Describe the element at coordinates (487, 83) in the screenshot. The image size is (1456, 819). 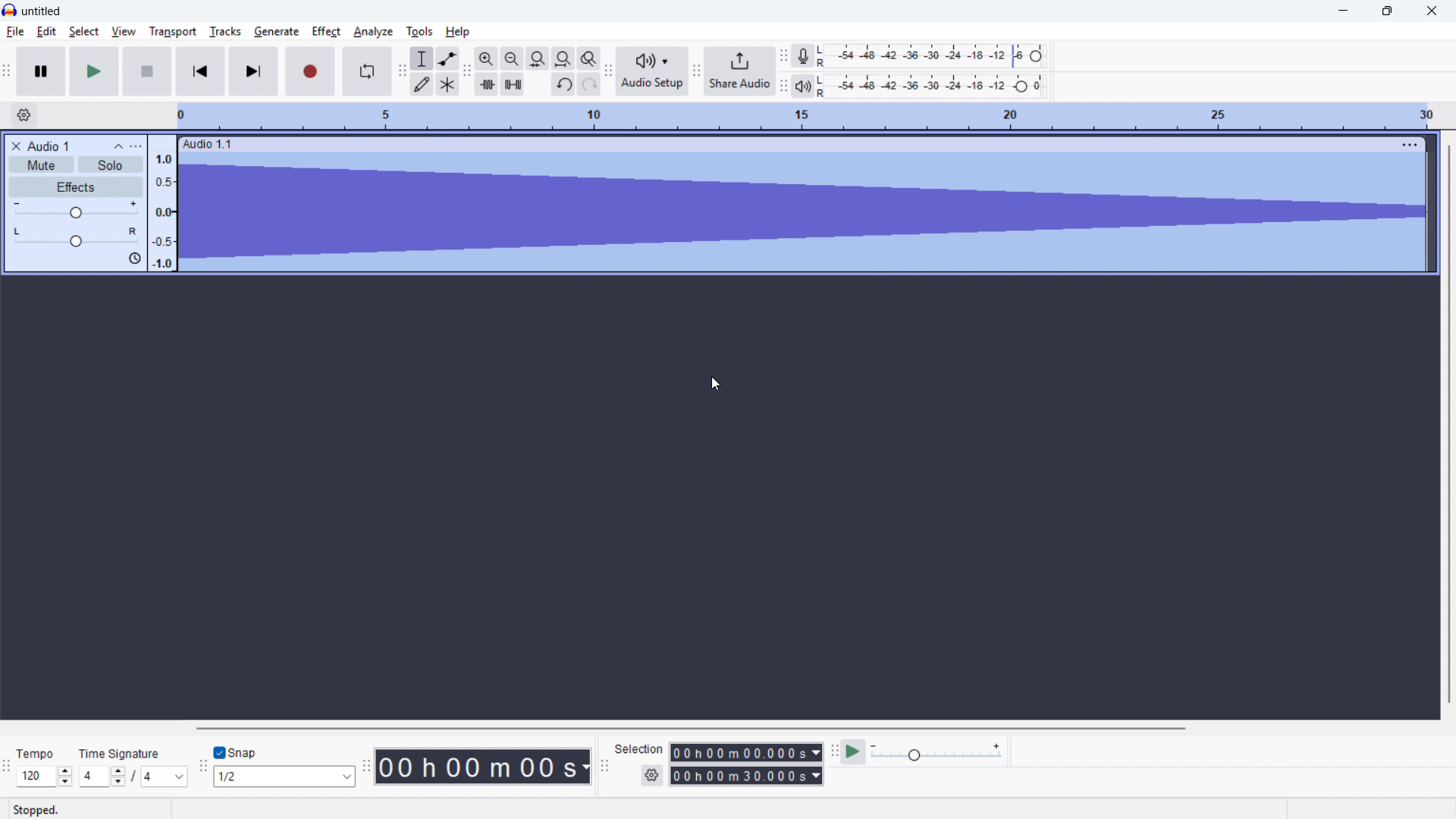
I see `Trim audio outside selection ` at that location.